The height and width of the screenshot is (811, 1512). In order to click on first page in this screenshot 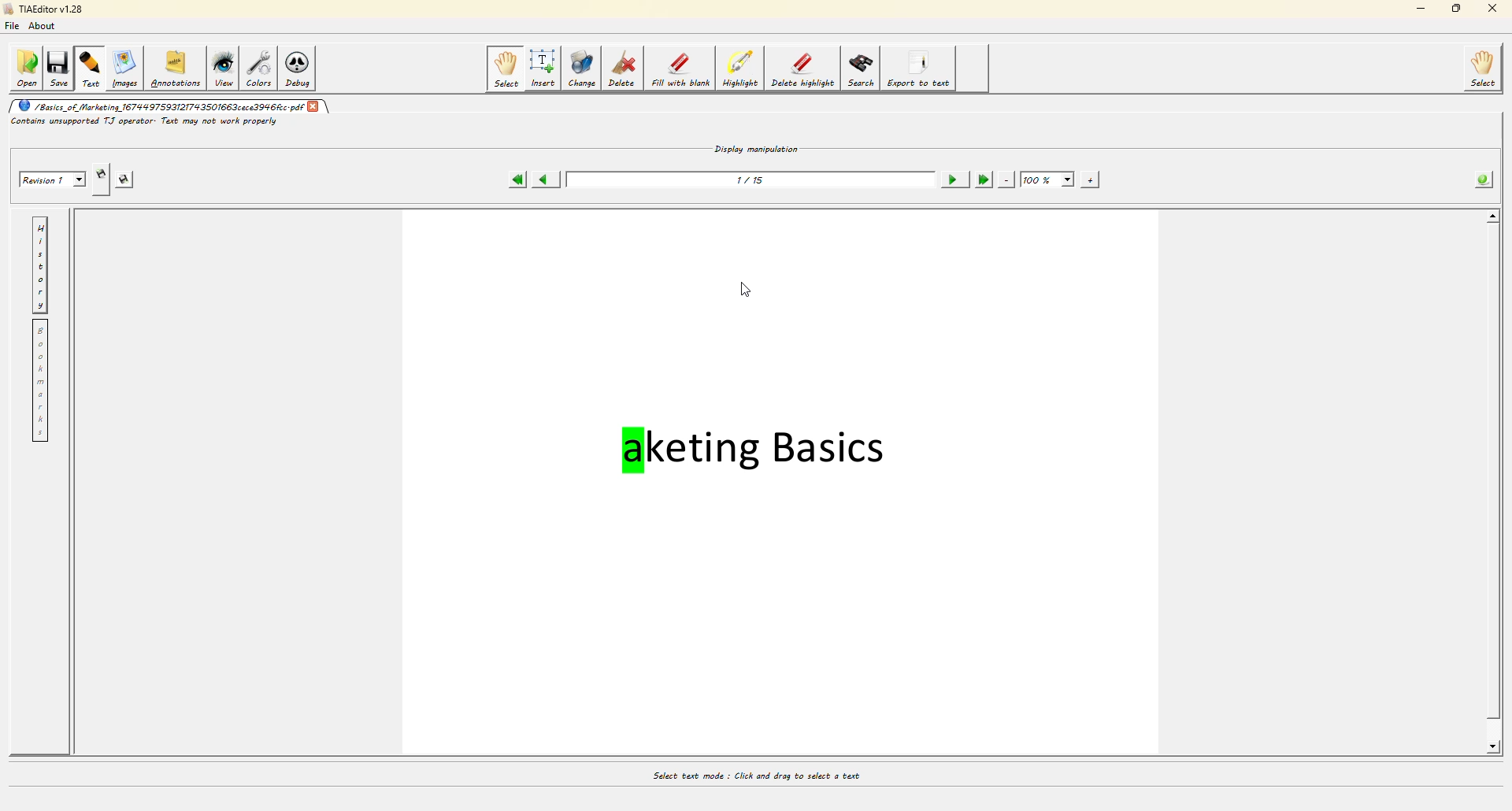, I will do `click(513, 180)`.